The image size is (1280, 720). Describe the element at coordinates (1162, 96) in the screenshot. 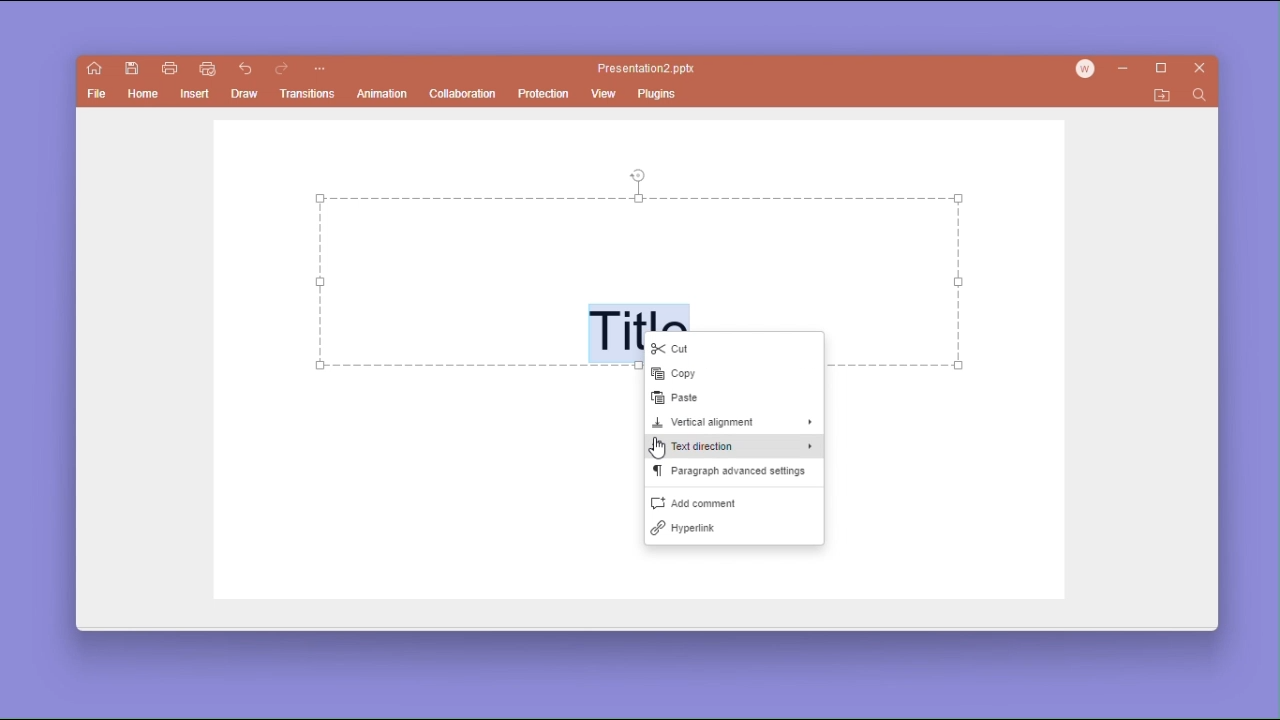

I see `open file location` at that location.